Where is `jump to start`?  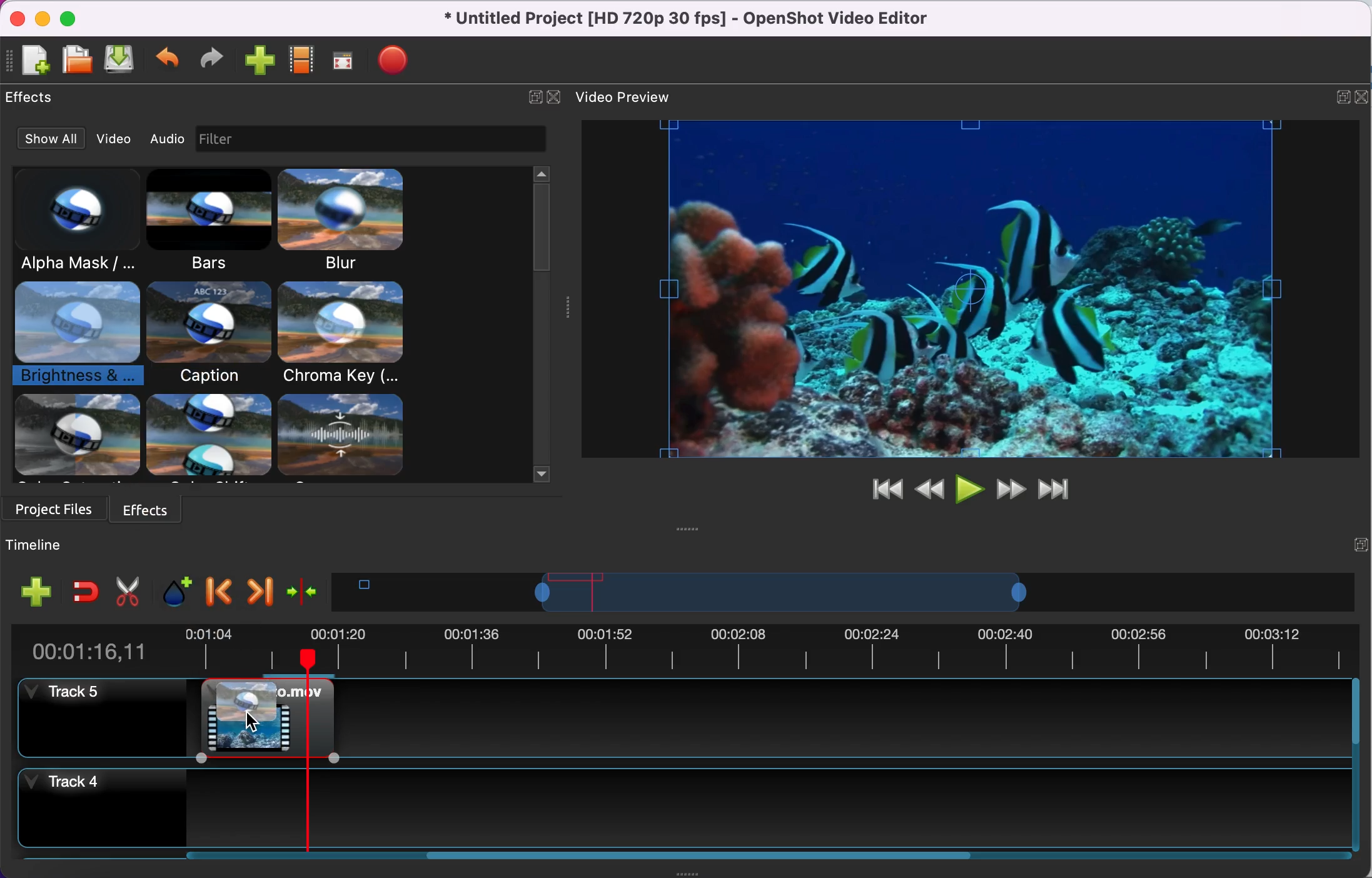
jump to start is located at coordinates (880, 491).